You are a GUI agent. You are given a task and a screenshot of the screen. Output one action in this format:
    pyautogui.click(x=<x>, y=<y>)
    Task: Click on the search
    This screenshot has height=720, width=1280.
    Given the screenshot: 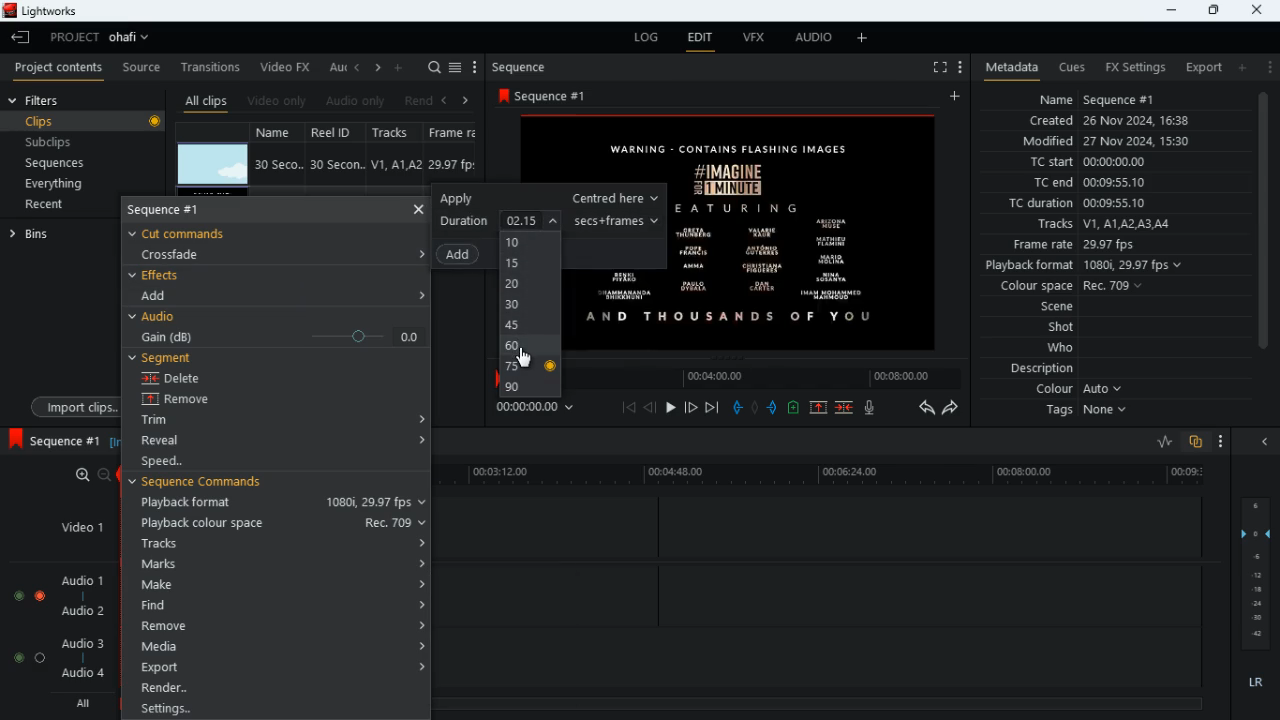 What is the action you would take?
    pyautogui.click(x=434, y=68)
    